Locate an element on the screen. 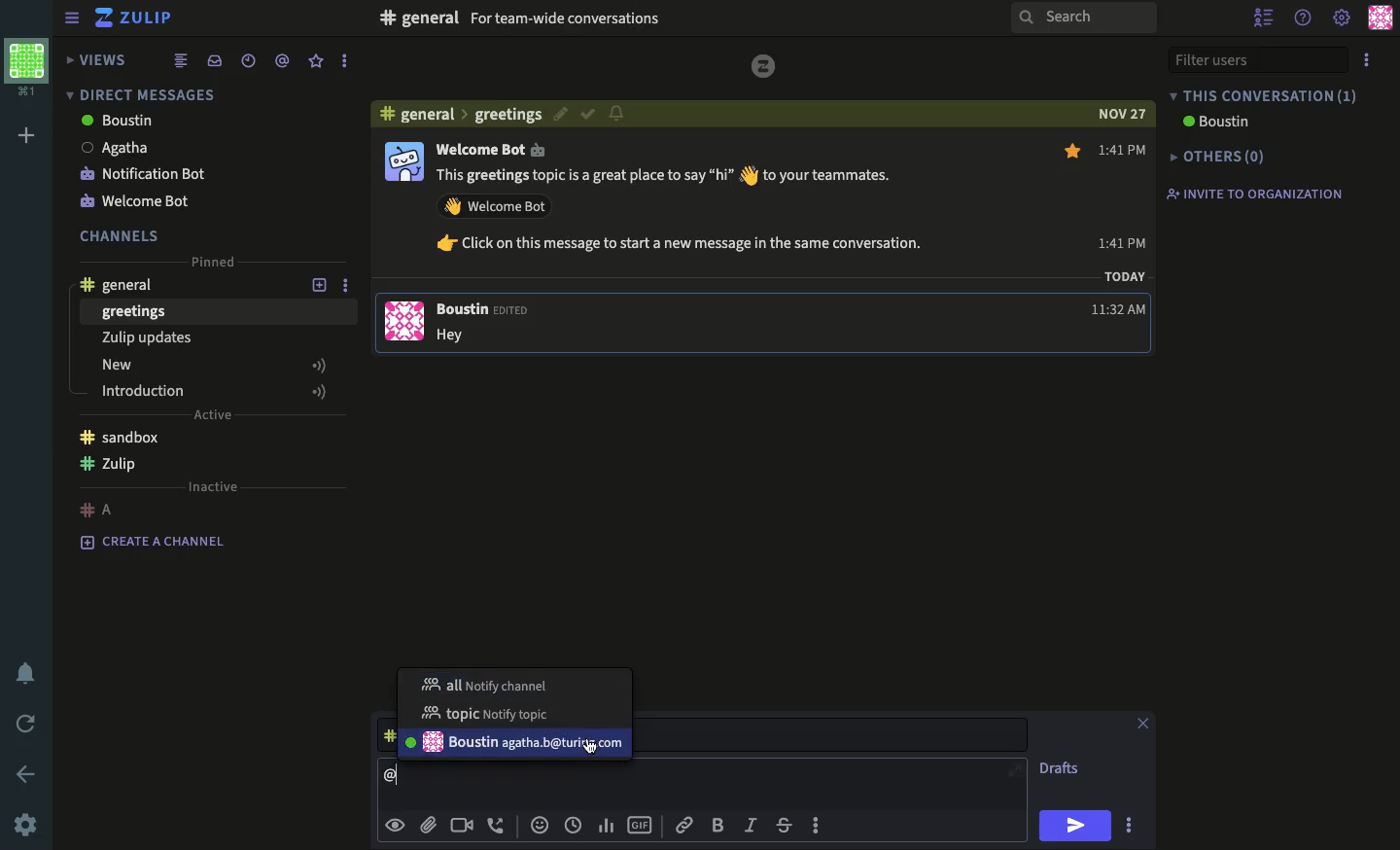  Boustin is located at coordinates (487, 311).